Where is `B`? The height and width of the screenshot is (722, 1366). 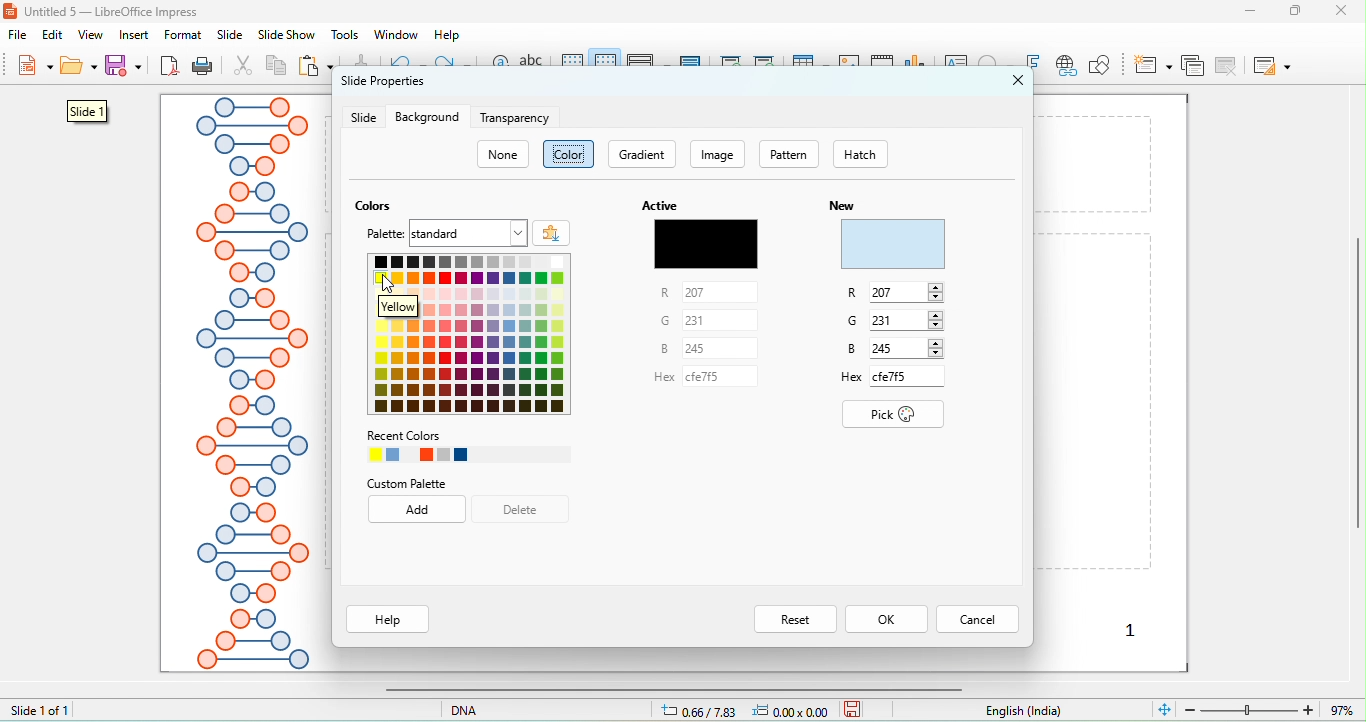
B is located at coordinates (693, 348).